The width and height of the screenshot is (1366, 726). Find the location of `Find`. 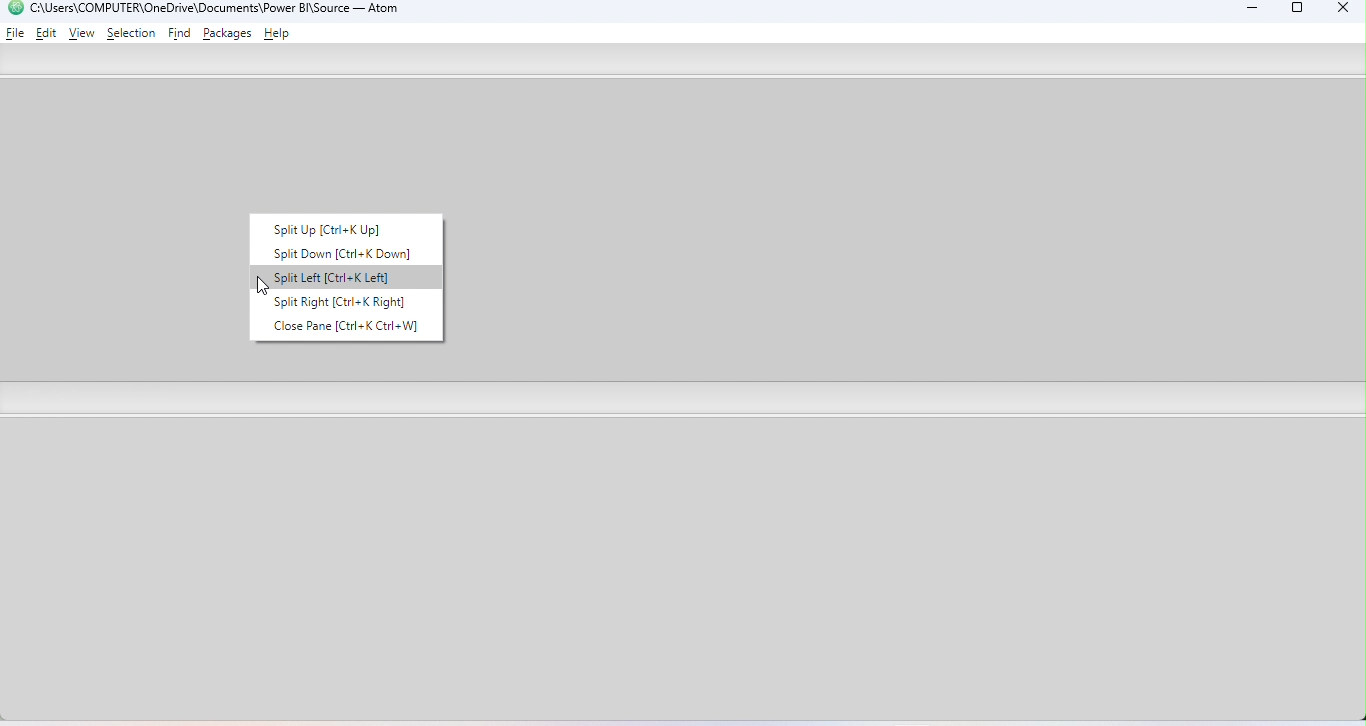

Find is located at coordinates (181, 34).